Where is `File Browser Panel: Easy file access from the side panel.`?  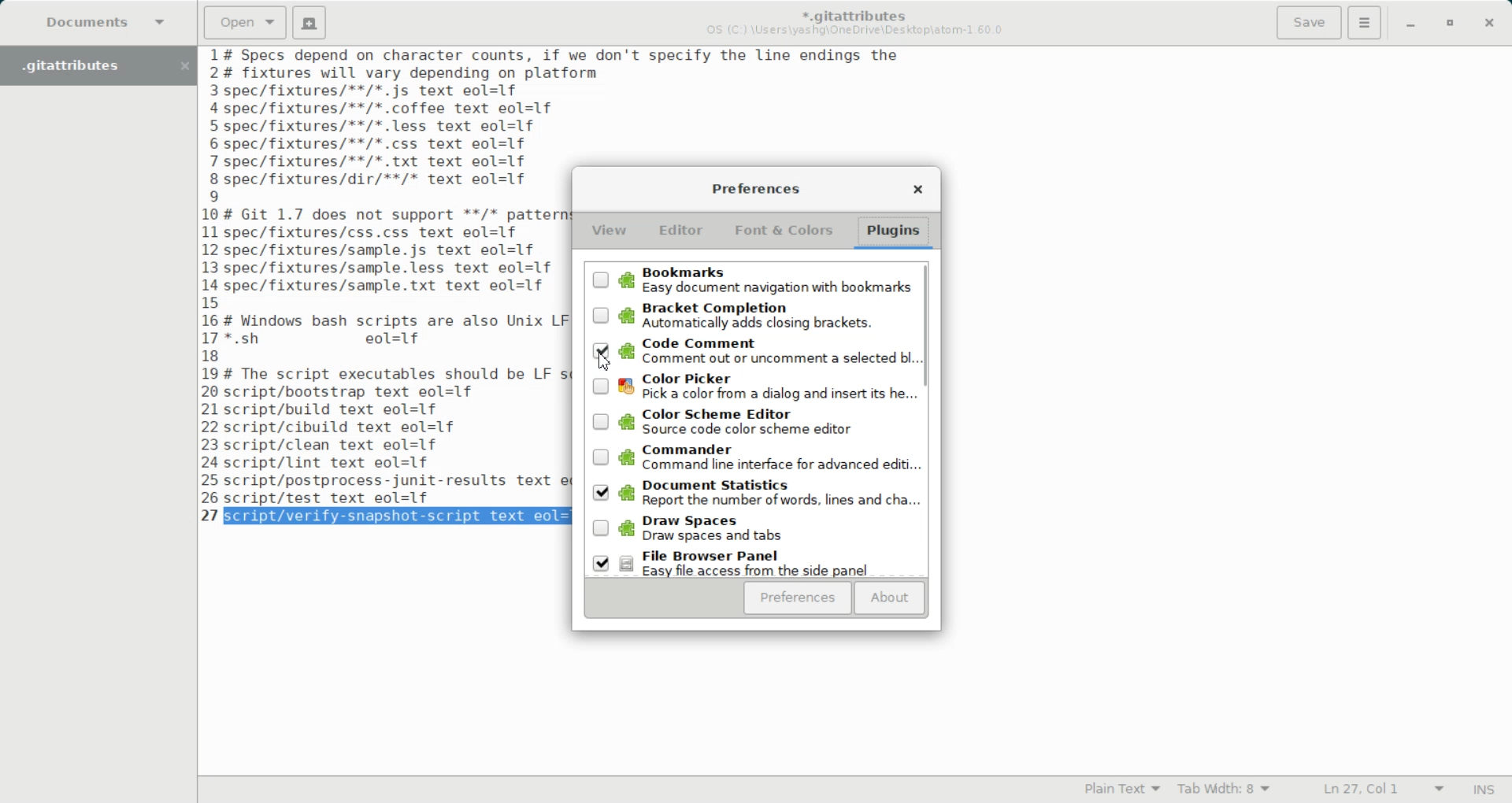
File Browser Panel: Easy file access from the side panel. is located at coordinates (752, 561).